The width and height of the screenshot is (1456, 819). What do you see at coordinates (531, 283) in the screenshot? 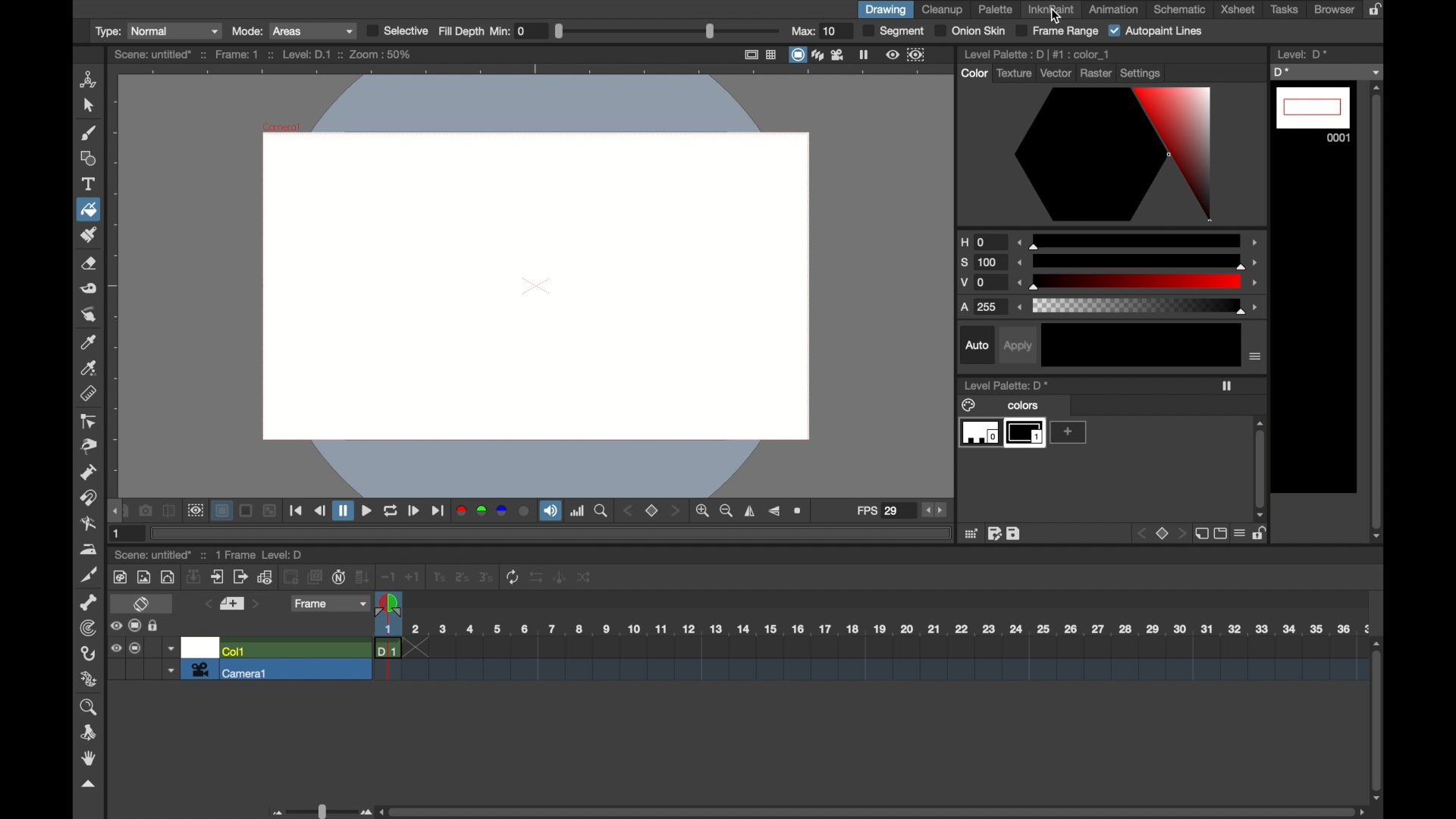
I see `canvas` at bounding box center [531, 283].